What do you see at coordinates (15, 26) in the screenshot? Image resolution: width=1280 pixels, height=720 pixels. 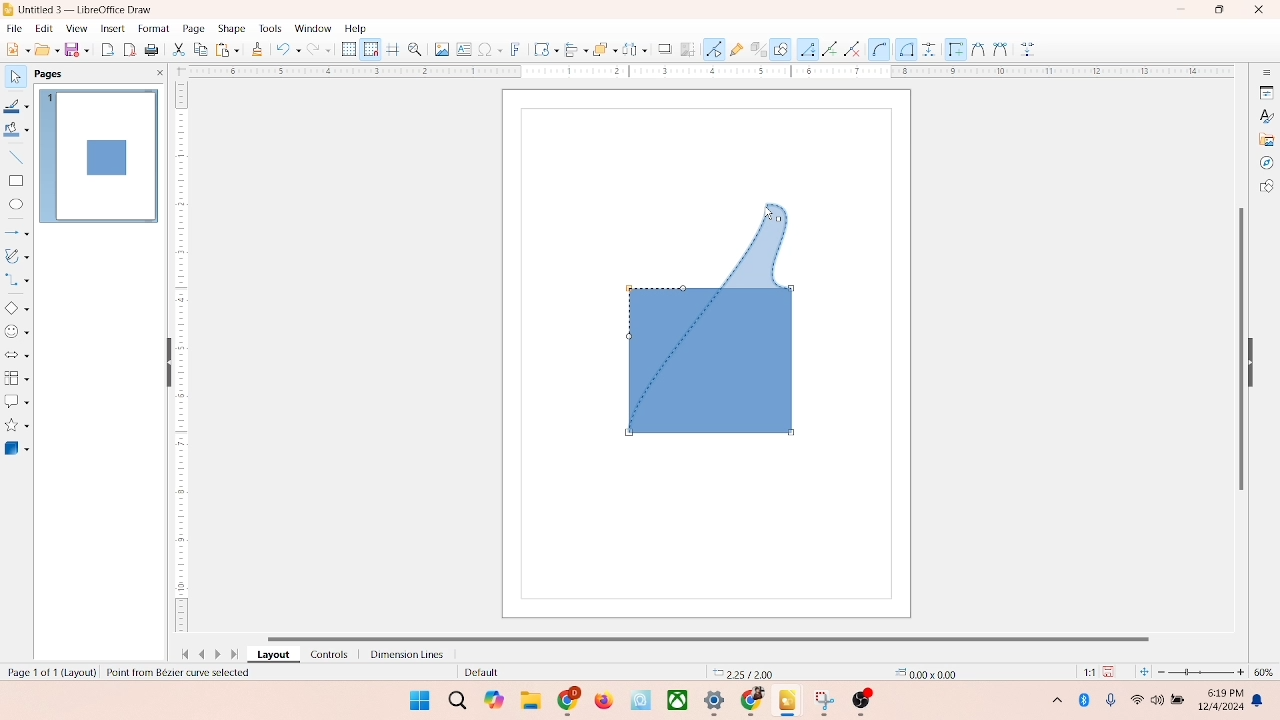 I see `file` at bounding box center [15, 26].